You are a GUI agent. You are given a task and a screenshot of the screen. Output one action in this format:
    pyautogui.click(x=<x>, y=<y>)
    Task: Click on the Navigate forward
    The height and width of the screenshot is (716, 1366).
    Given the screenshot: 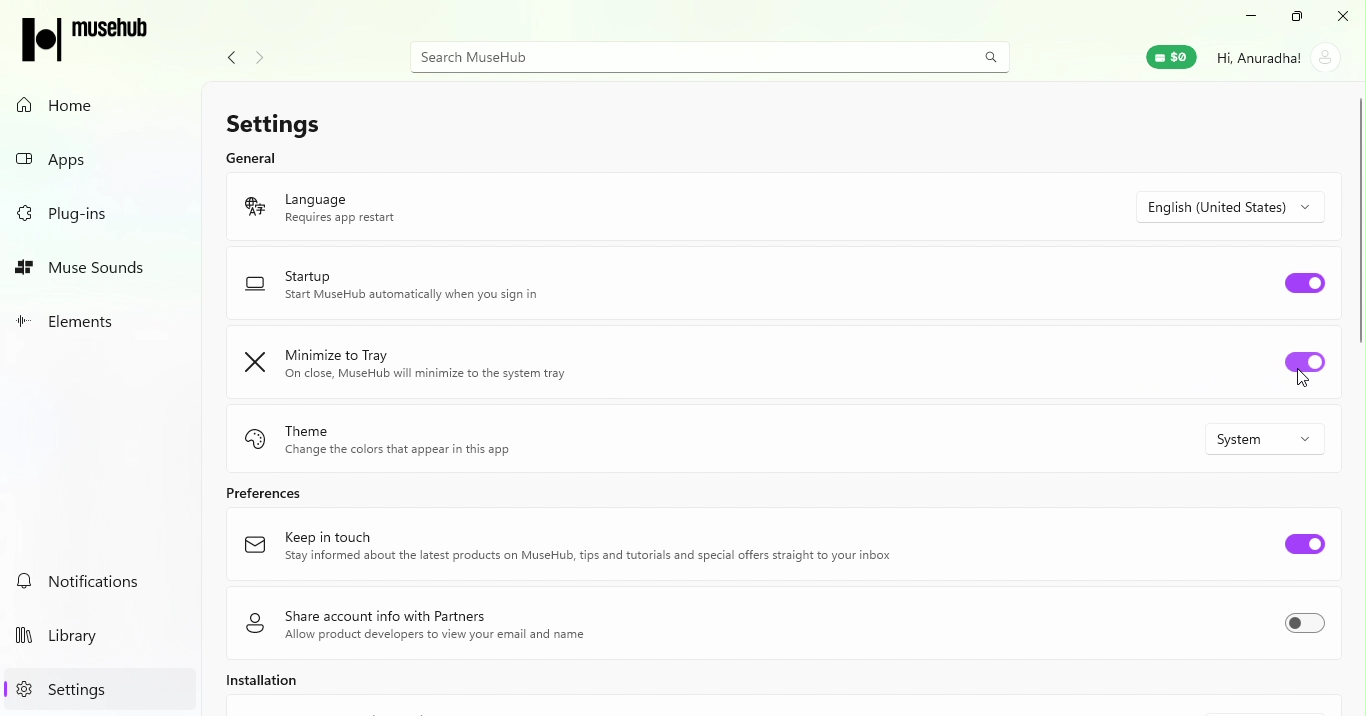 What is the action you would take?
    pyautogui.click(x=258, y=54)
    